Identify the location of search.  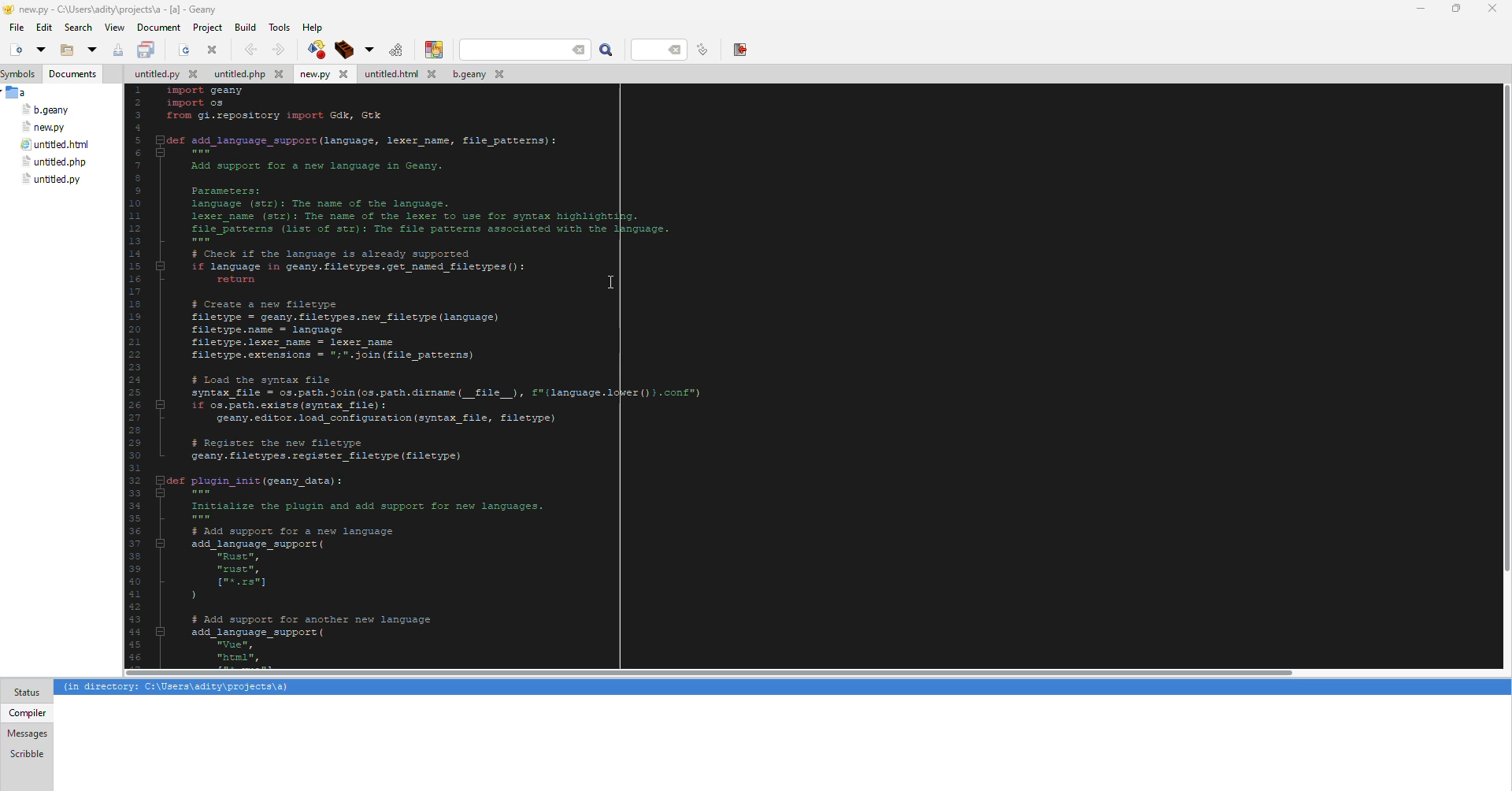
(525, 50).